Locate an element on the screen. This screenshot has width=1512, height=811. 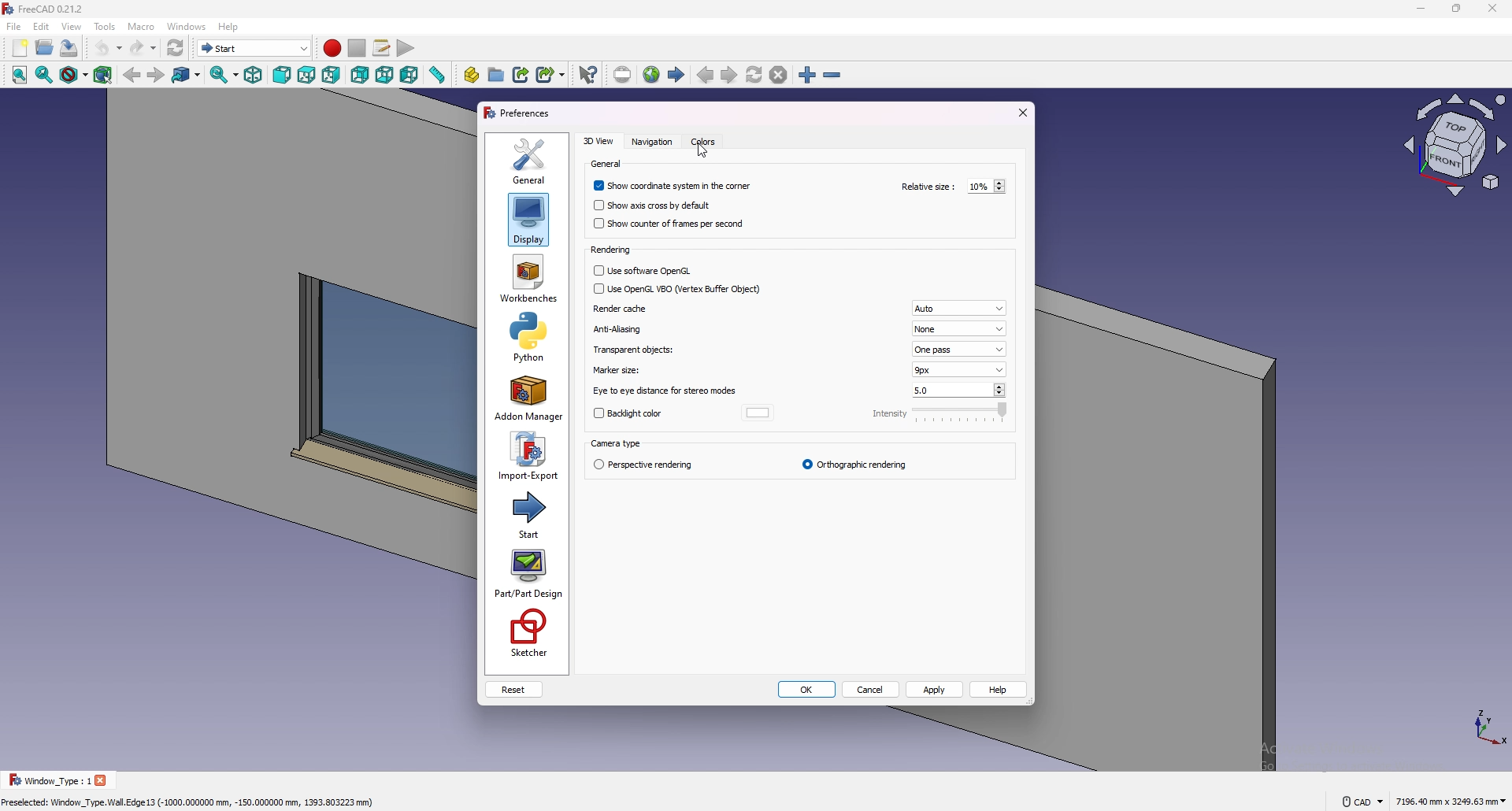
camera type is located at coordinates (617, 444).